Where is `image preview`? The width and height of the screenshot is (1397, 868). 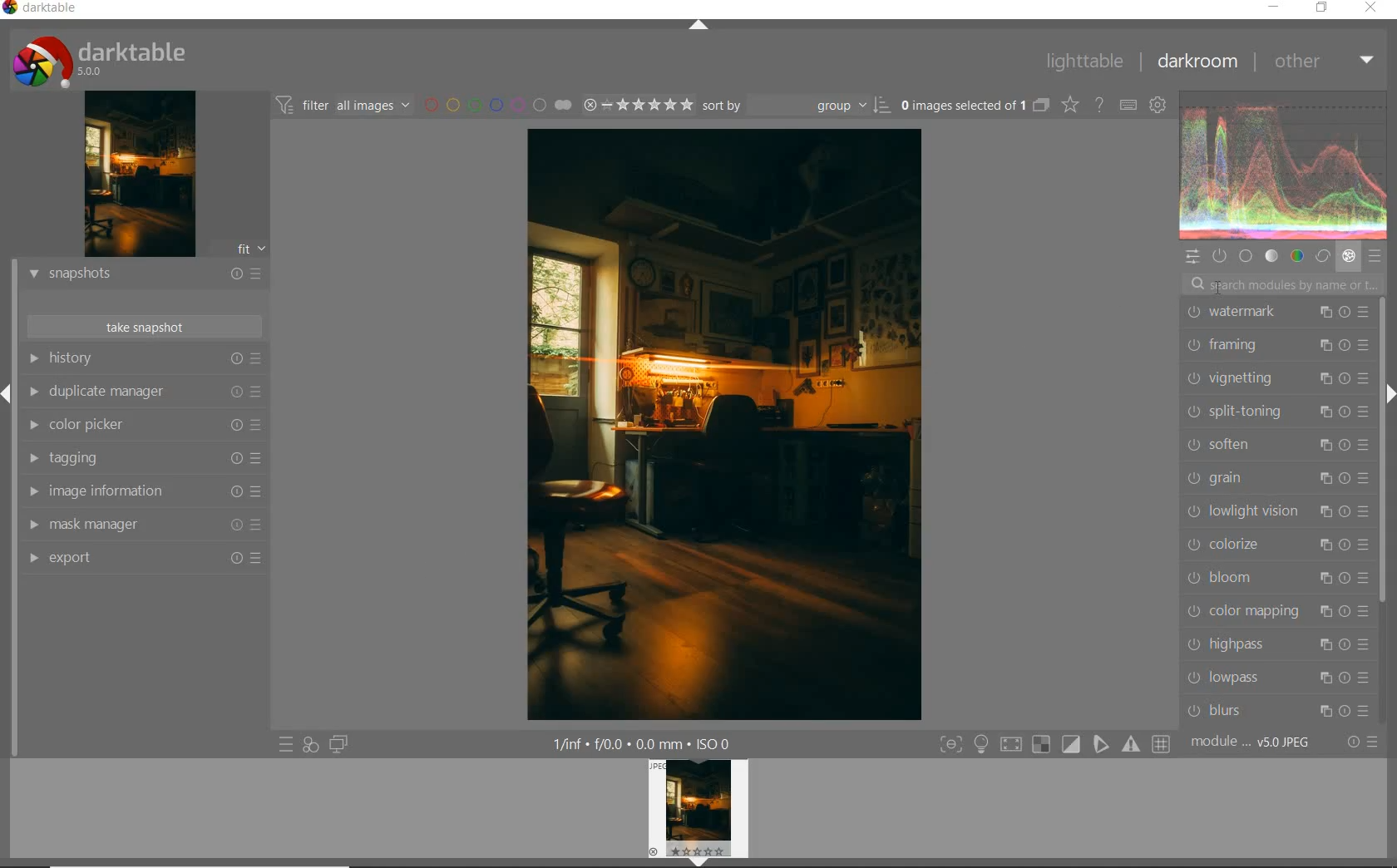
image preview is located at coordinates (698, 813).